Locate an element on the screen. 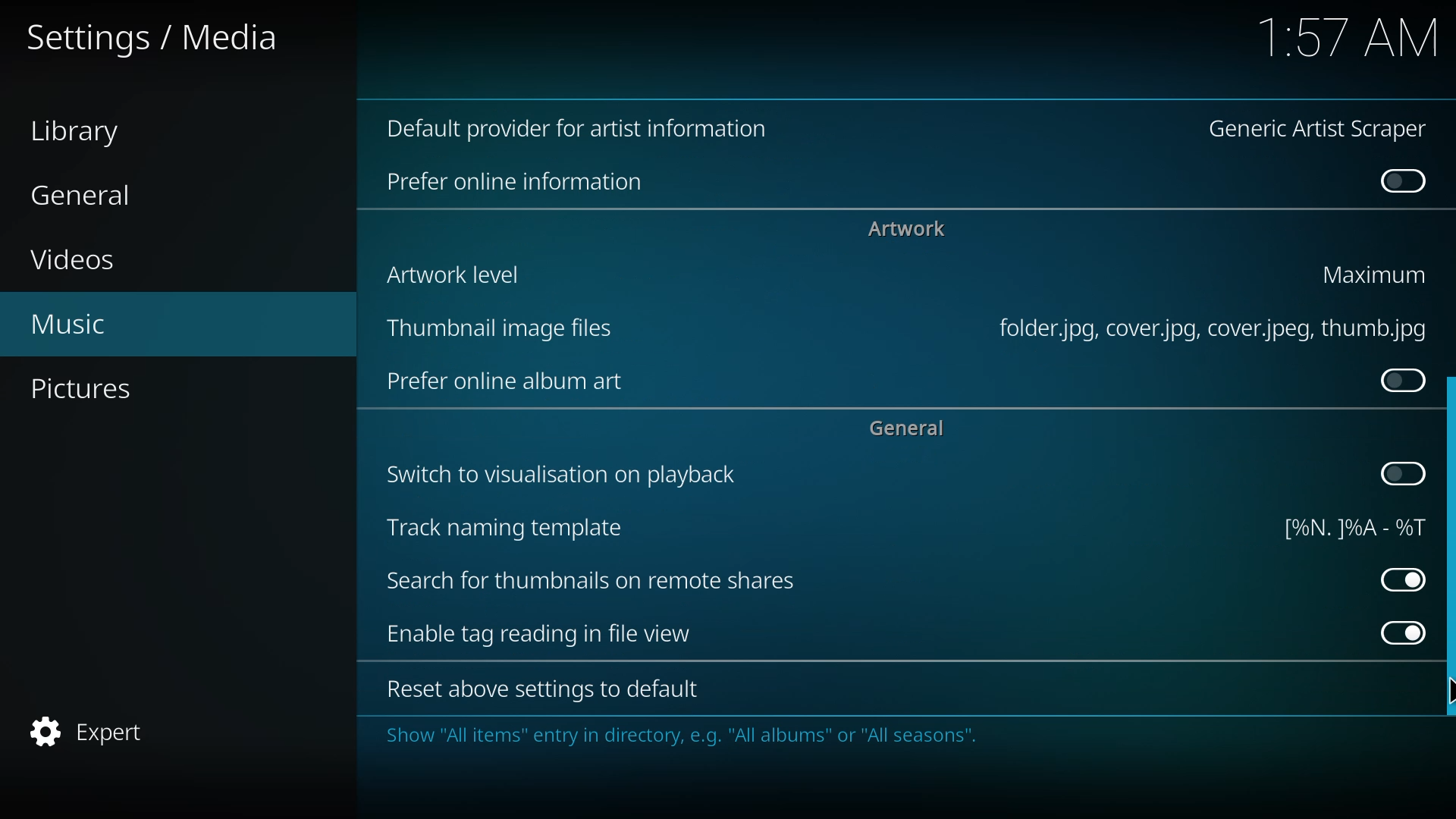 Image resolution: width=1456 pixels, height=819 pixels. online is located at coordinates (516, 182).